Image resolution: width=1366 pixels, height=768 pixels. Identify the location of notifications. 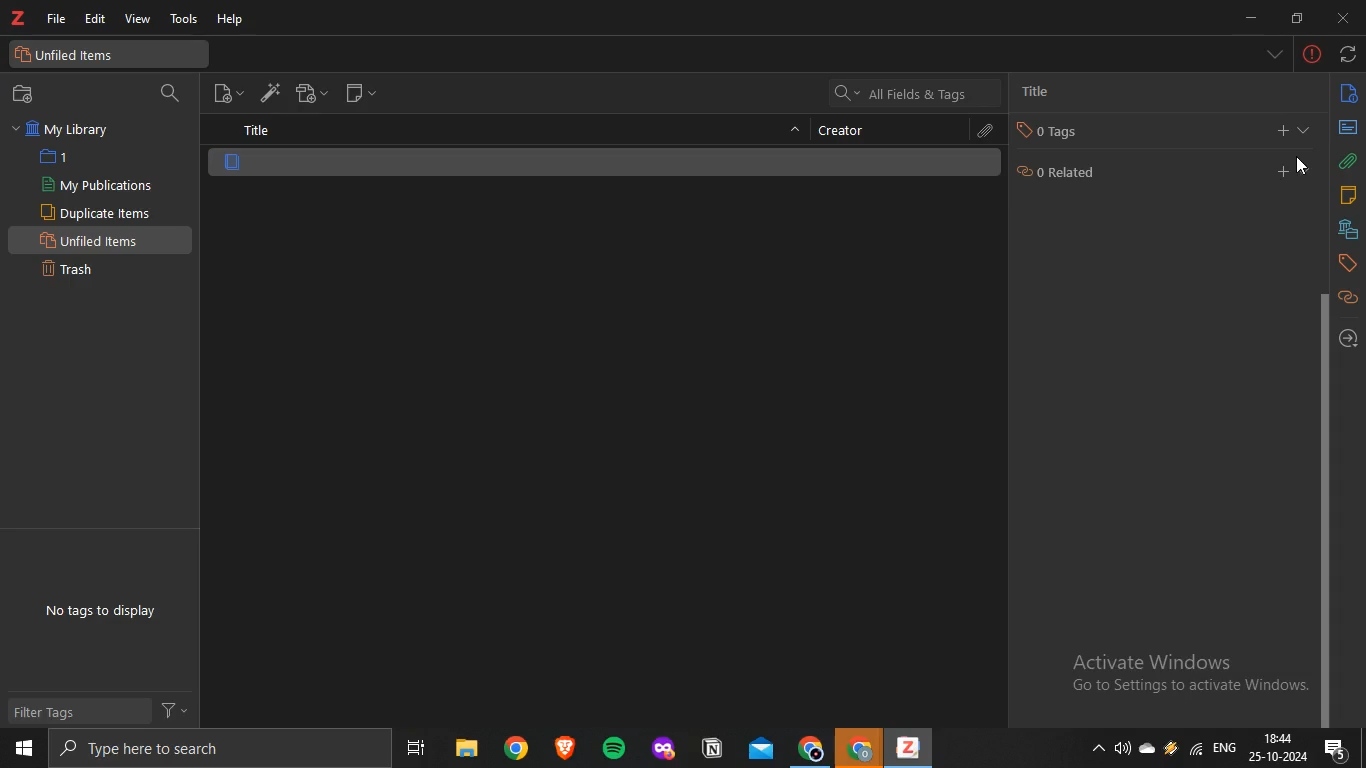
(1334, 750).